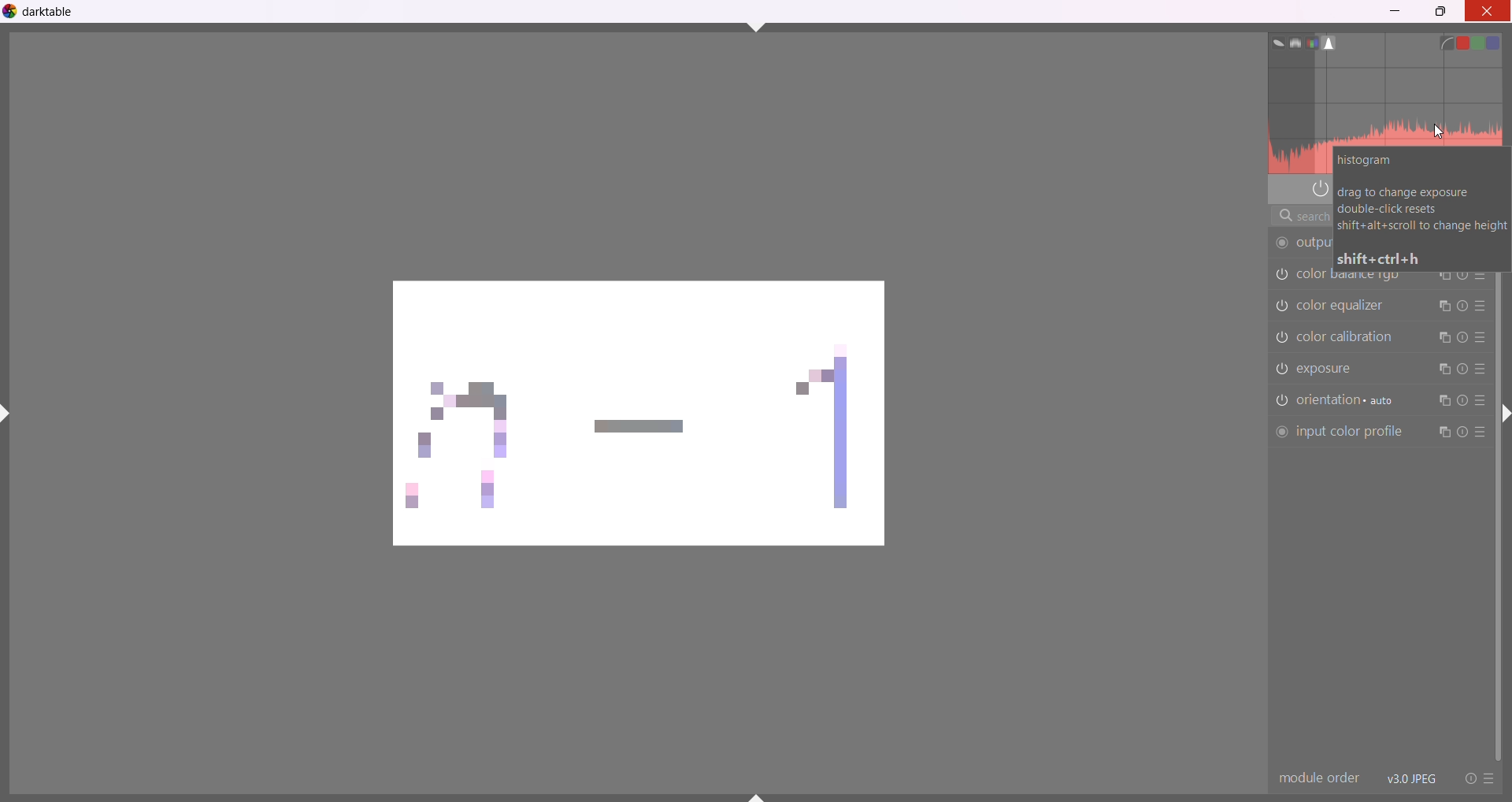 The image size is (1512, 802). Describe the element at coordinates (1443, 371) in the screenshot. I see `instance` at that location.